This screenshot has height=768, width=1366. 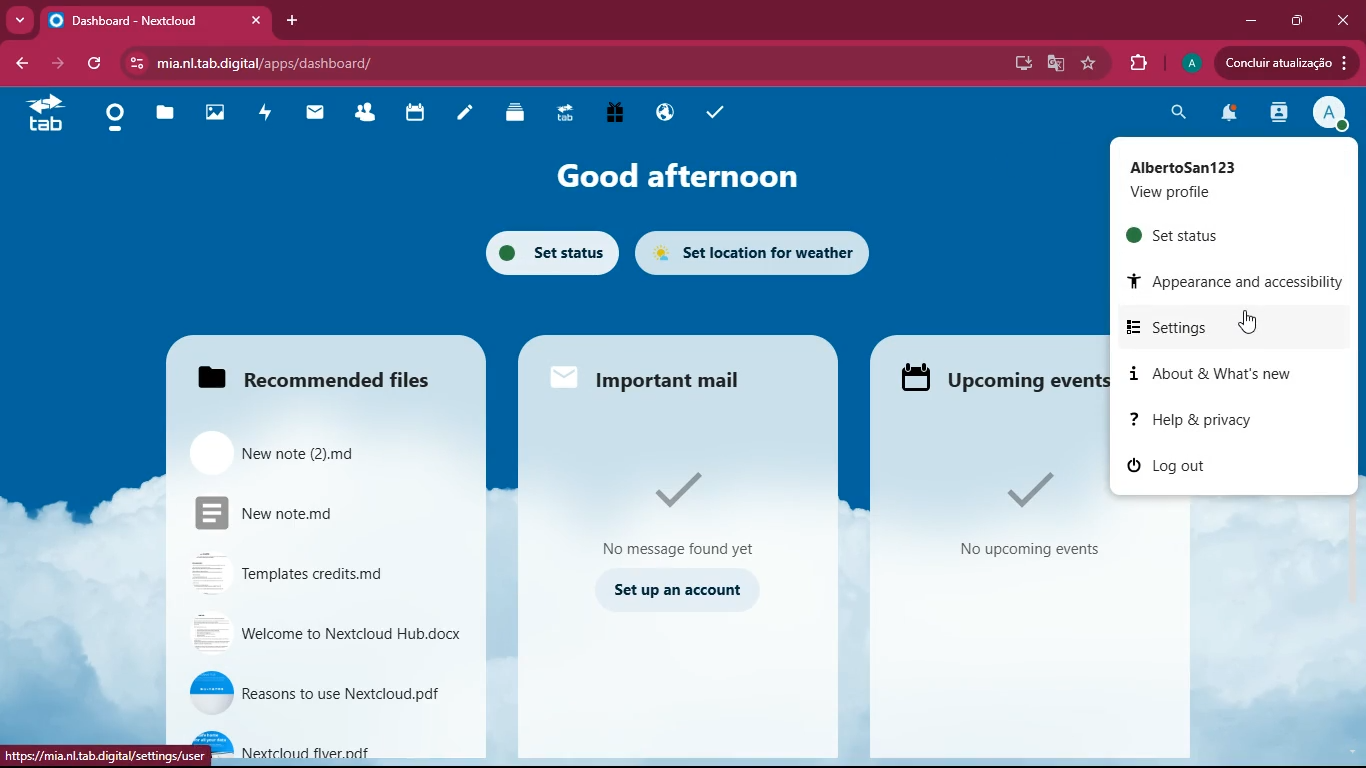 What do you see at coordinates (1245, 22) in the screenshot?
I see `minimize` at bounding box center [1245, 22].